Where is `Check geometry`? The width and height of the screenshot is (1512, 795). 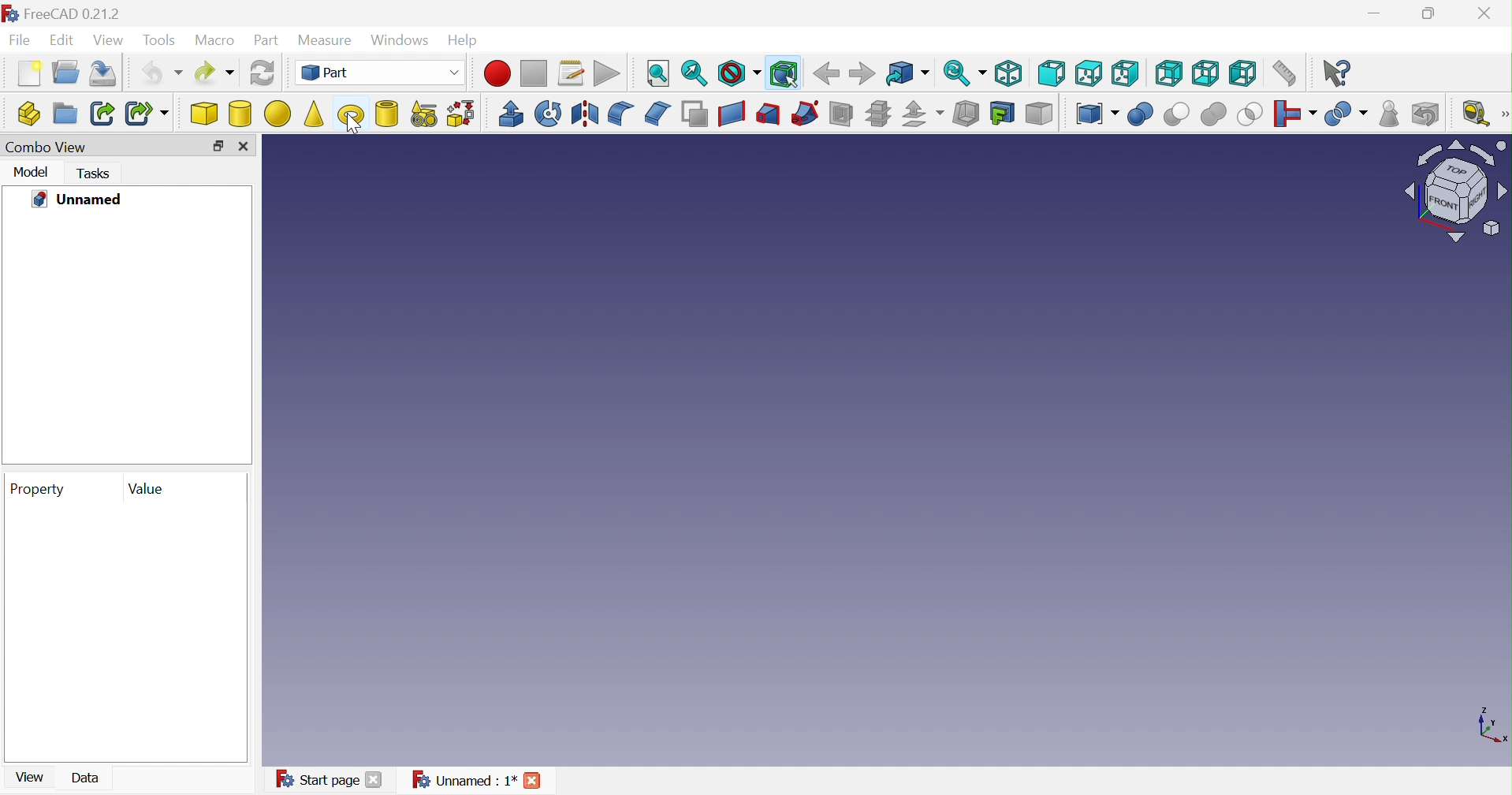
Check geometry is located at coordinates (1389, 113).